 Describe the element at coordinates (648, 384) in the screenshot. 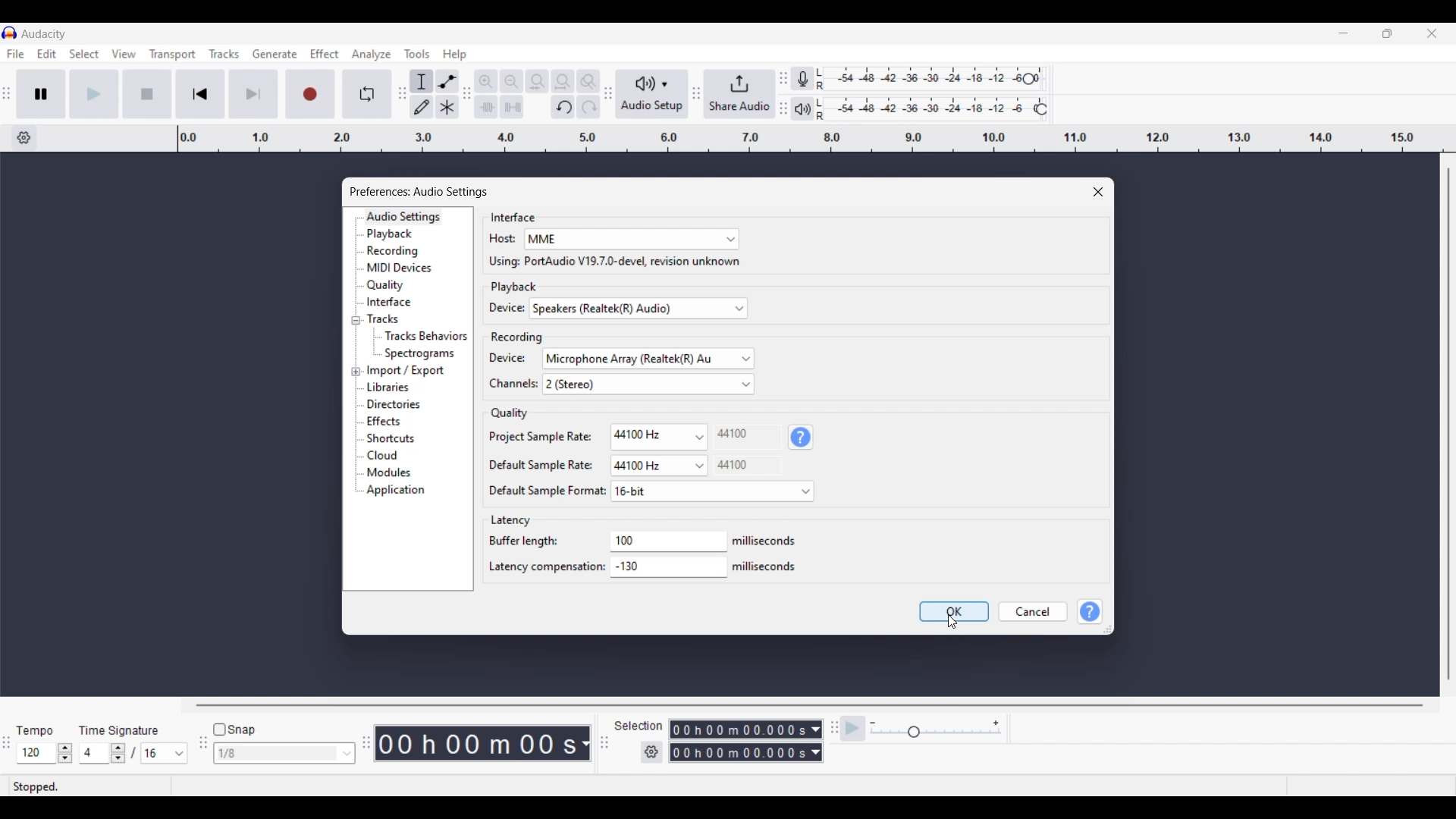

I see `Channels options` at that location.